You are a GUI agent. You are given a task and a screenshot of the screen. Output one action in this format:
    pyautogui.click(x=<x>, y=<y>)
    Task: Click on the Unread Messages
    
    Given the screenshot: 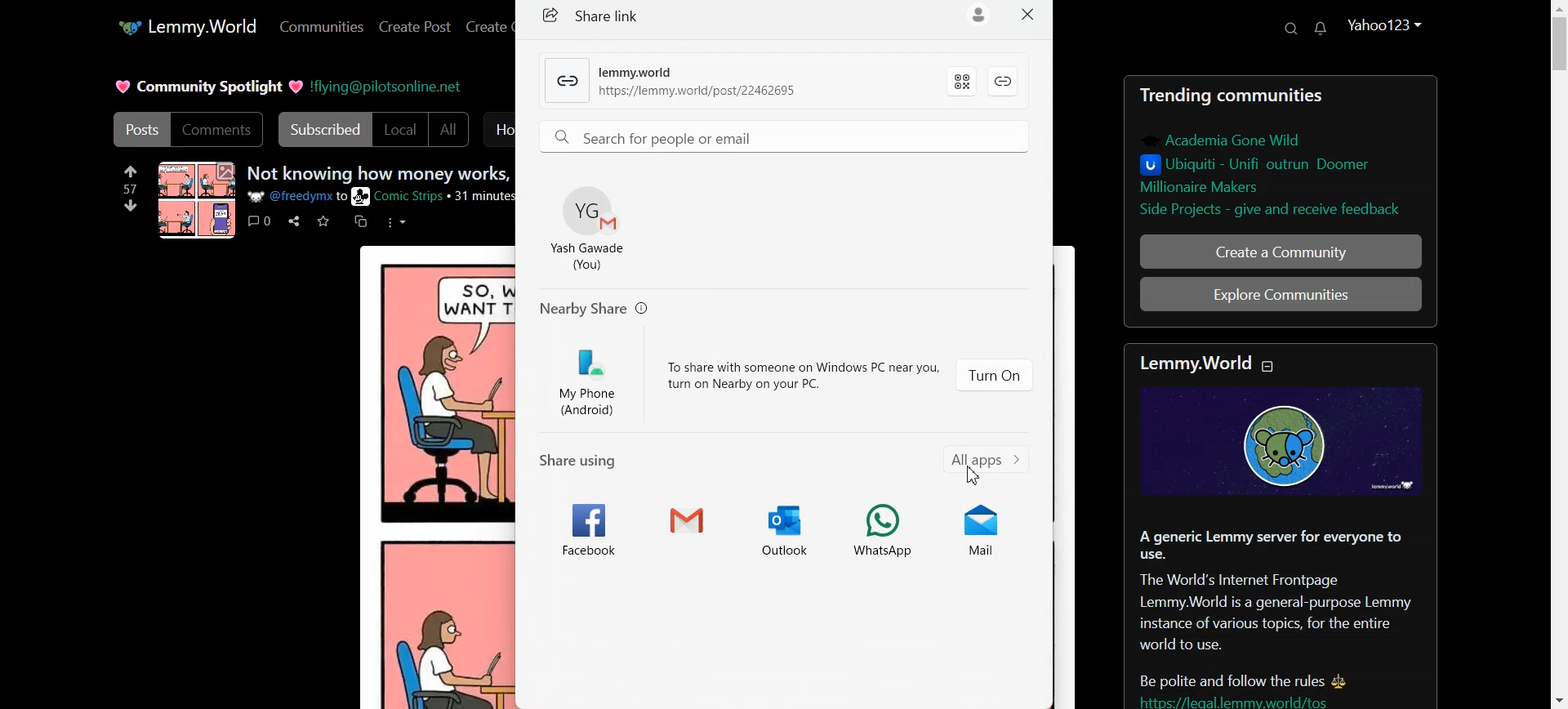 What is the action you would take?
    pyautogui.click(x=1321, y=29)
    